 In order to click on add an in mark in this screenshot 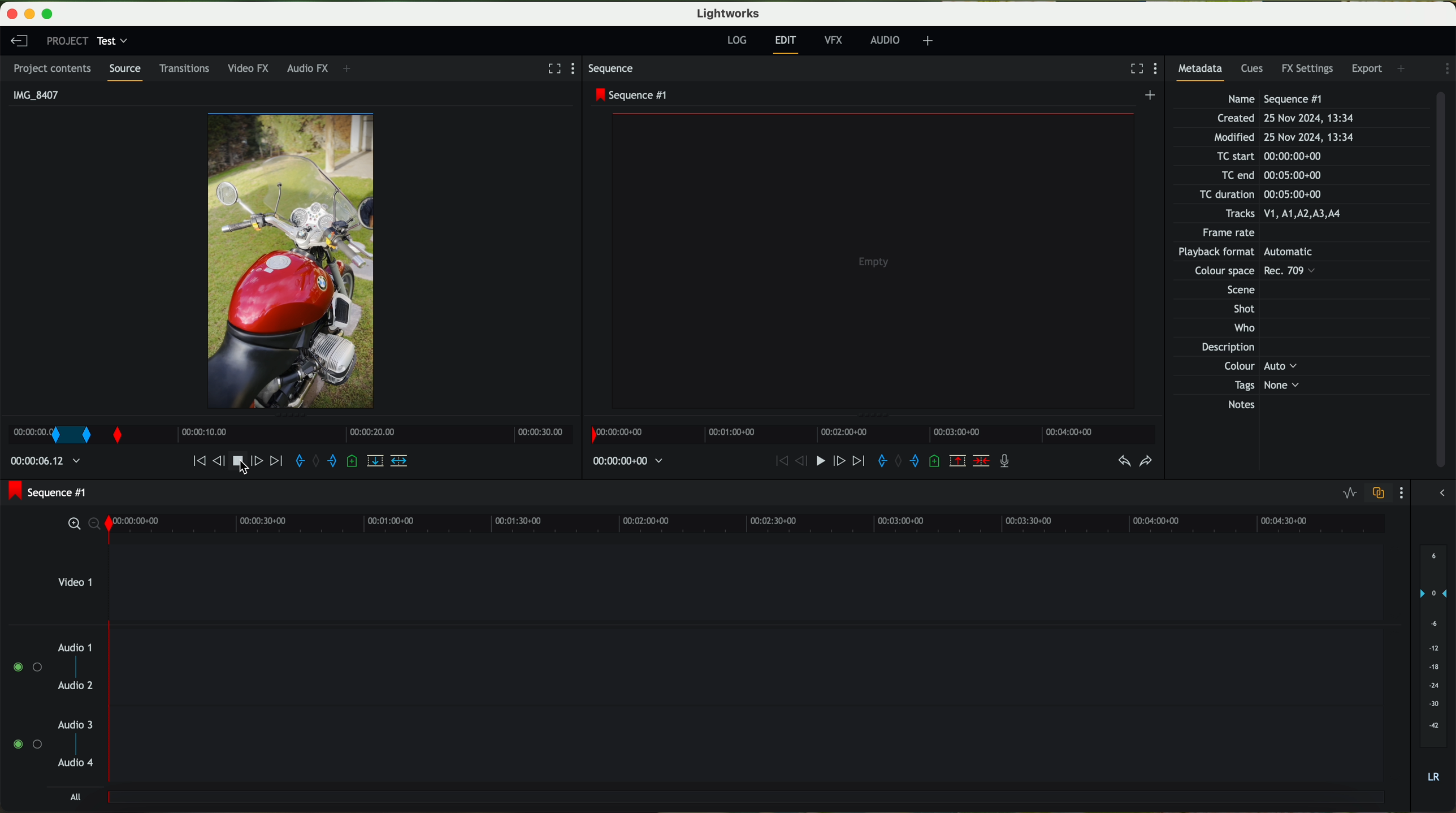, I will do `click(877, 461)`.